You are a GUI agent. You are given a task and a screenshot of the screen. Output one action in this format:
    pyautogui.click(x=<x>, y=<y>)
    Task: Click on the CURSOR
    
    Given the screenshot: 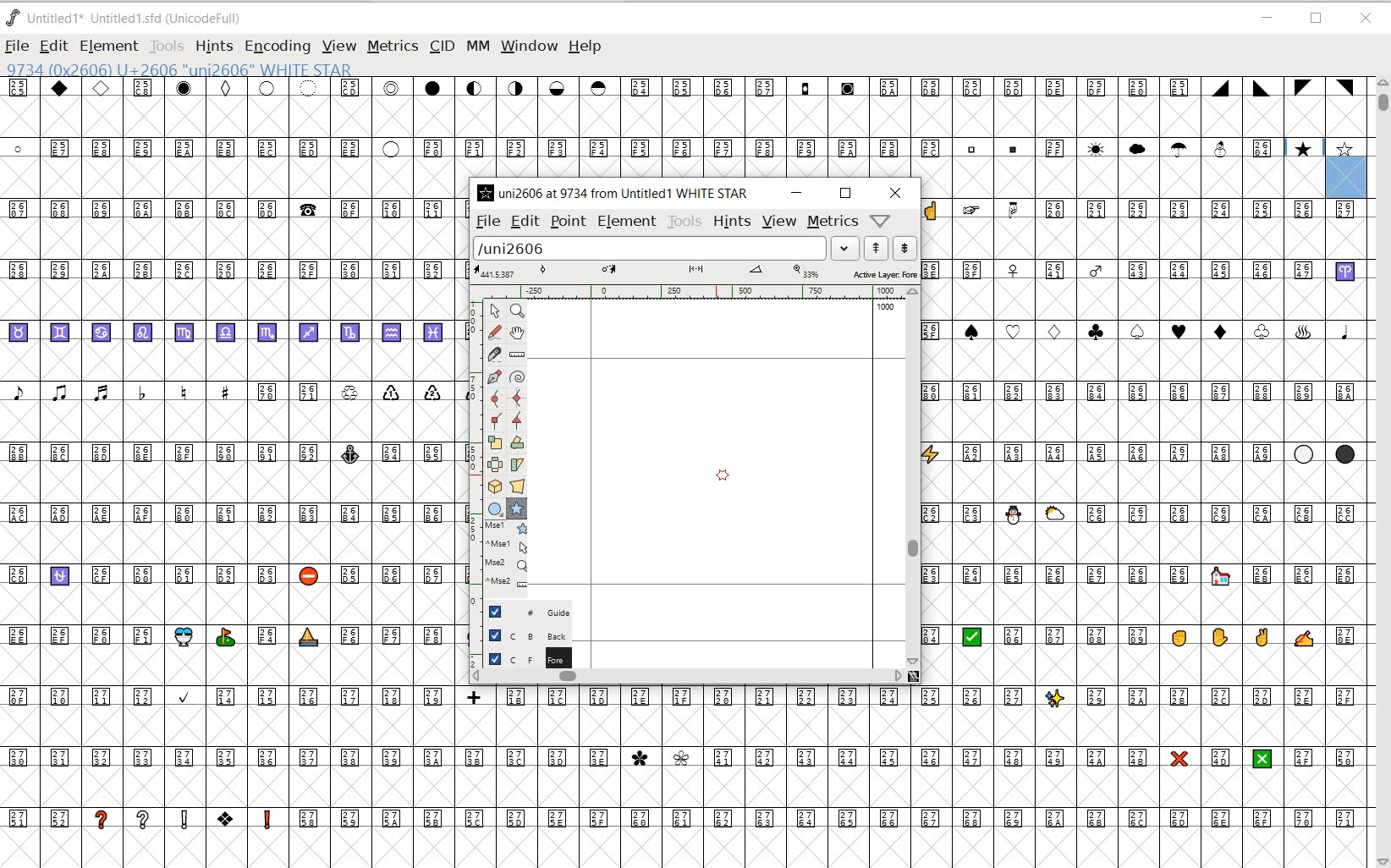 What is the action you would take?
    pyautogui.click(x=879, y=64)
    